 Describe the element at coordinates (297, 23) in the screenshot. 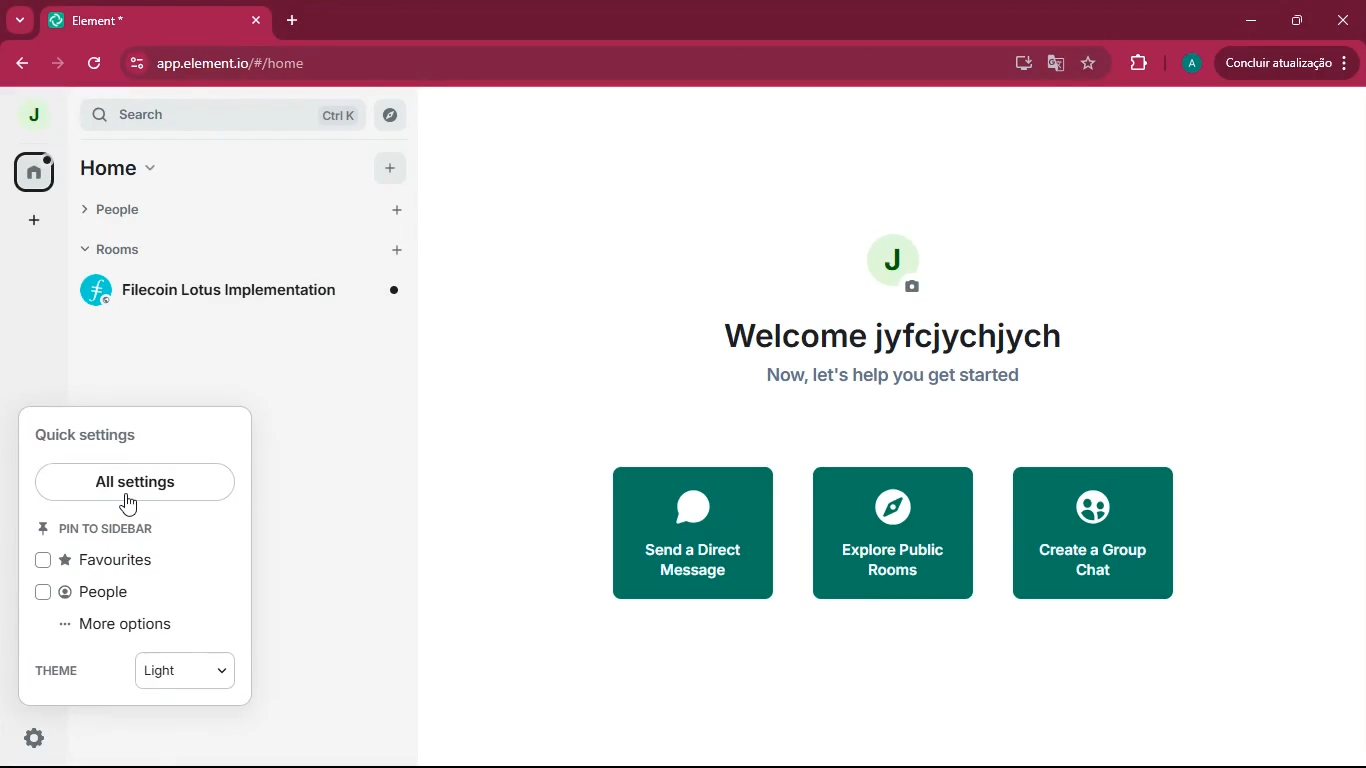

I see `add tab` at that location.